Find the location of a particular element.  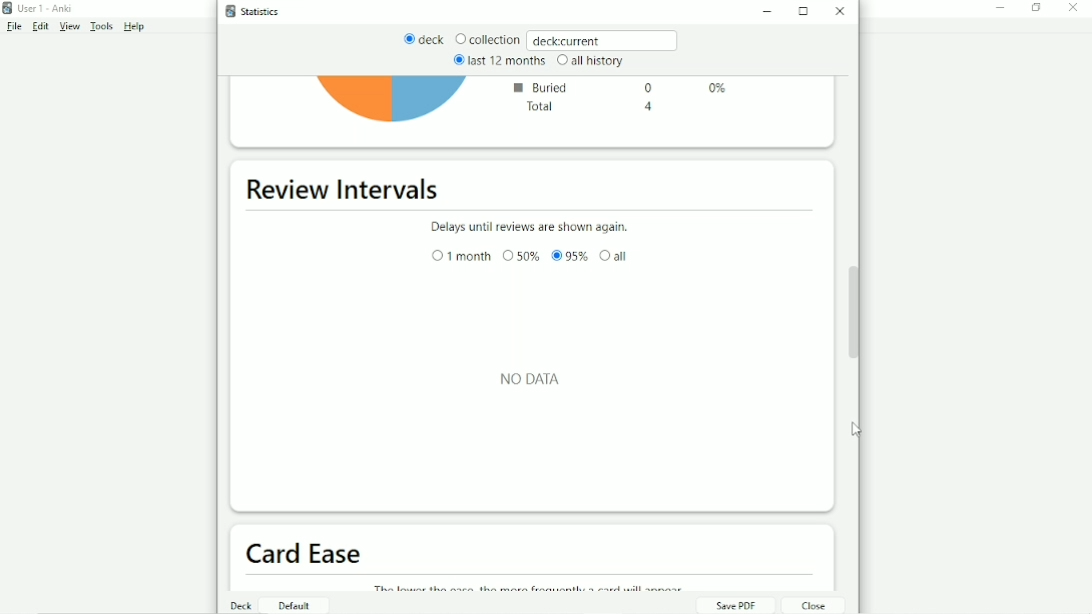

Card Ease is located at coordinates (308, 553).